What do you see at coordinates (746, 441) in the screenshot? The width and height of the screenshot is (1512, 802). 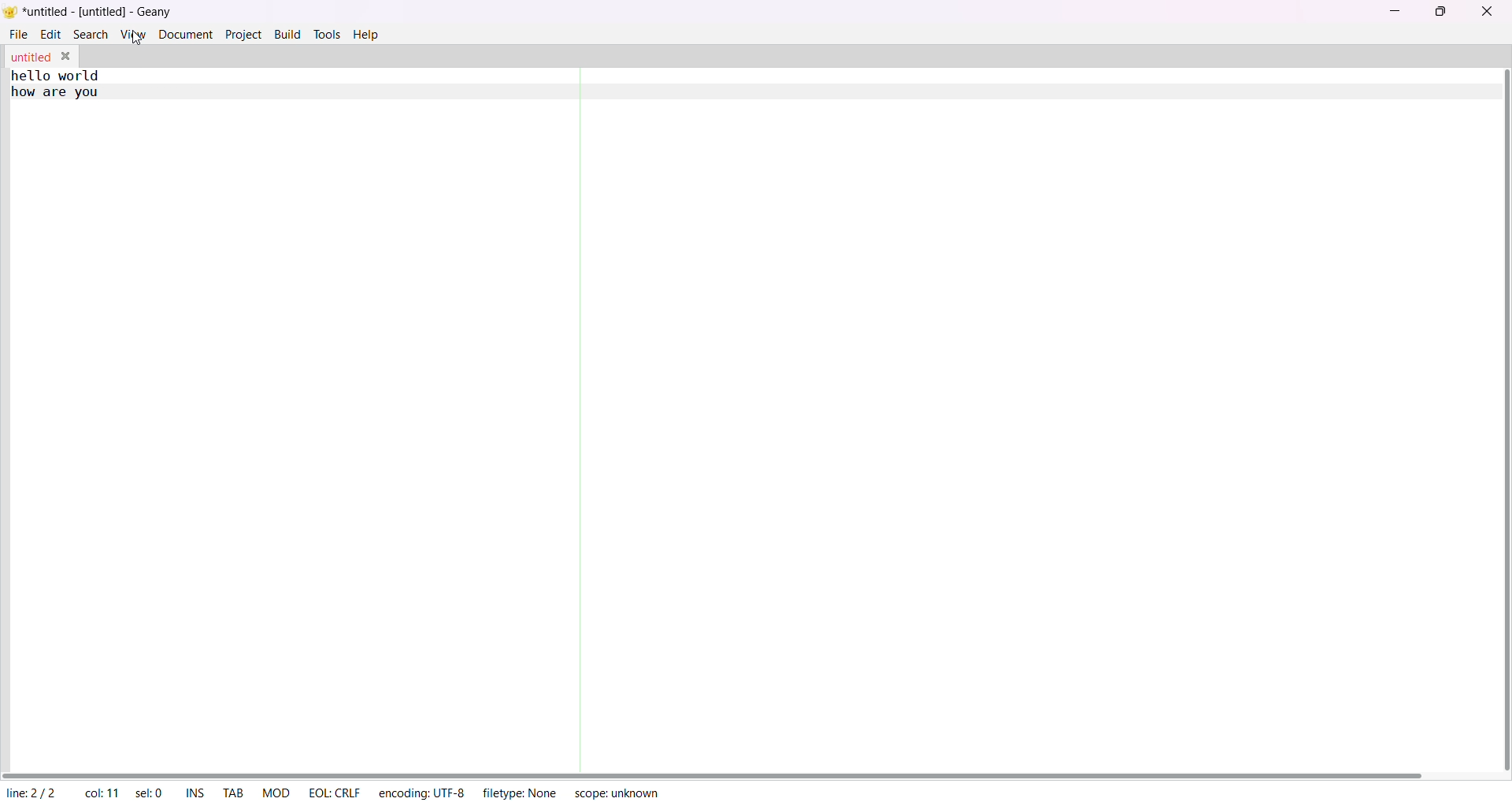 I see `code area` at bounding box center [746, 441].